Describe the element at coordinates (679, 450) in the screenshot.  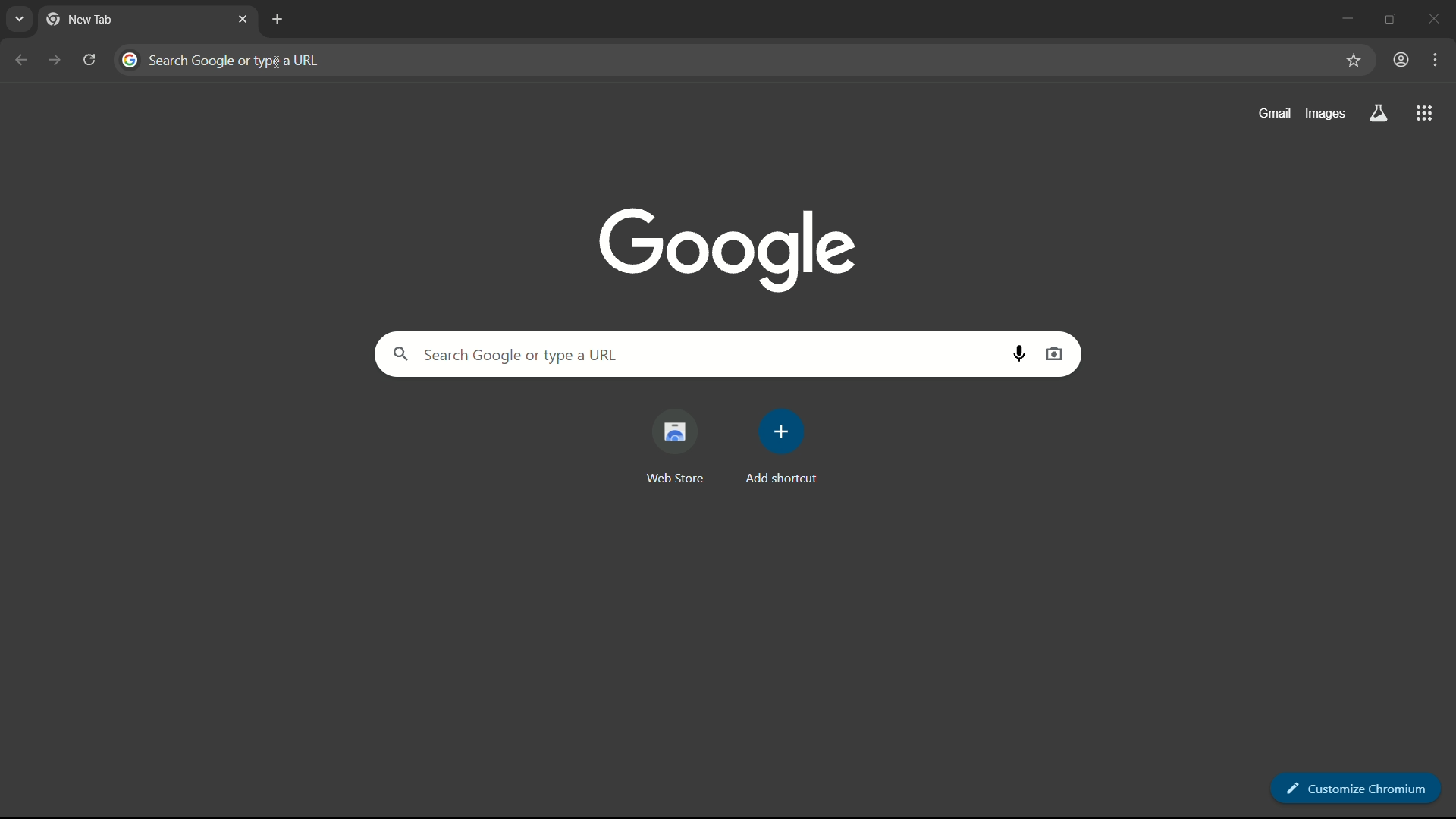
I see `web store shortcut` at that location.